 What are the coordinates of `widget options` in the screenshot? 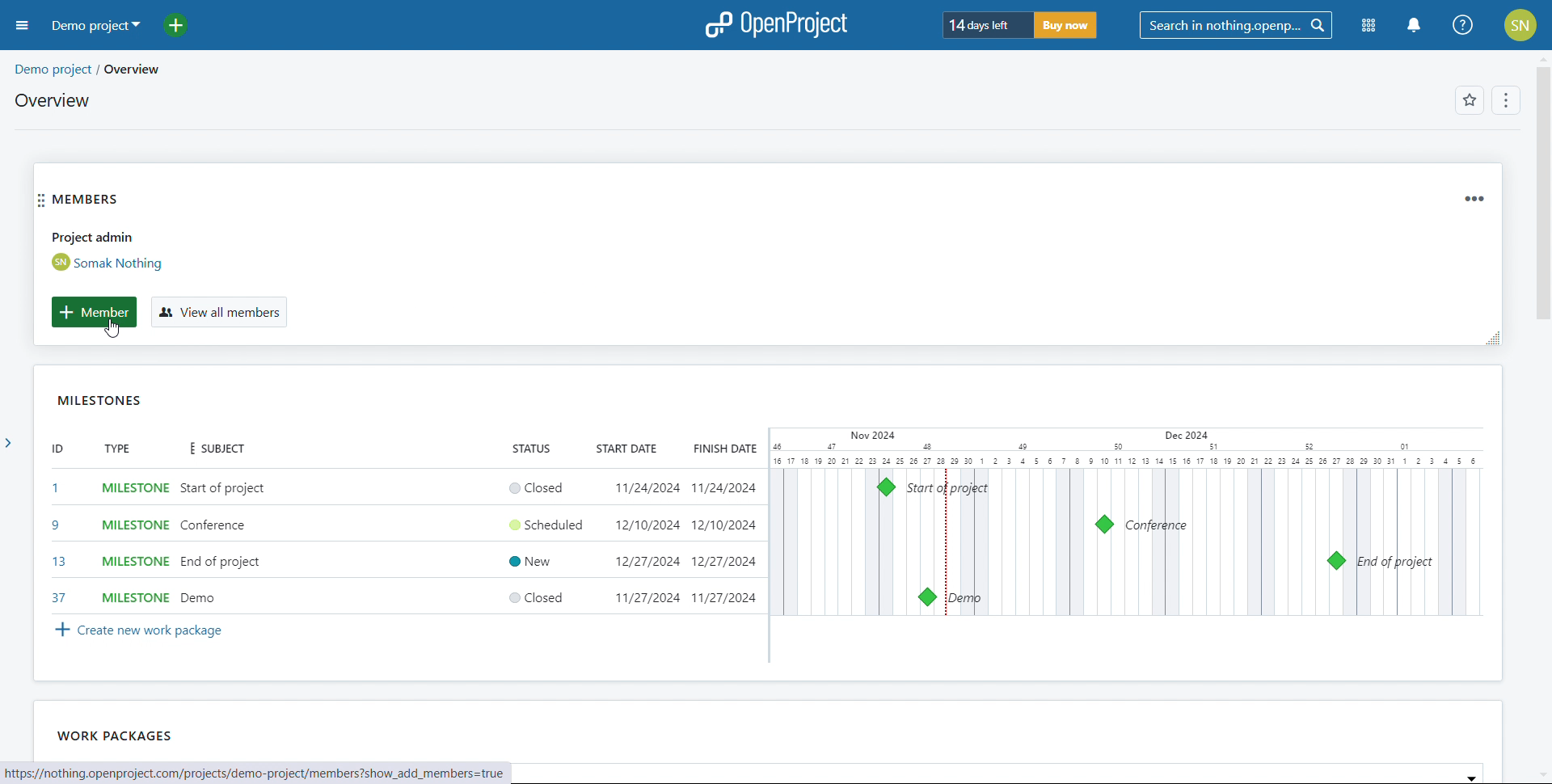 It's located at (1474, 198).